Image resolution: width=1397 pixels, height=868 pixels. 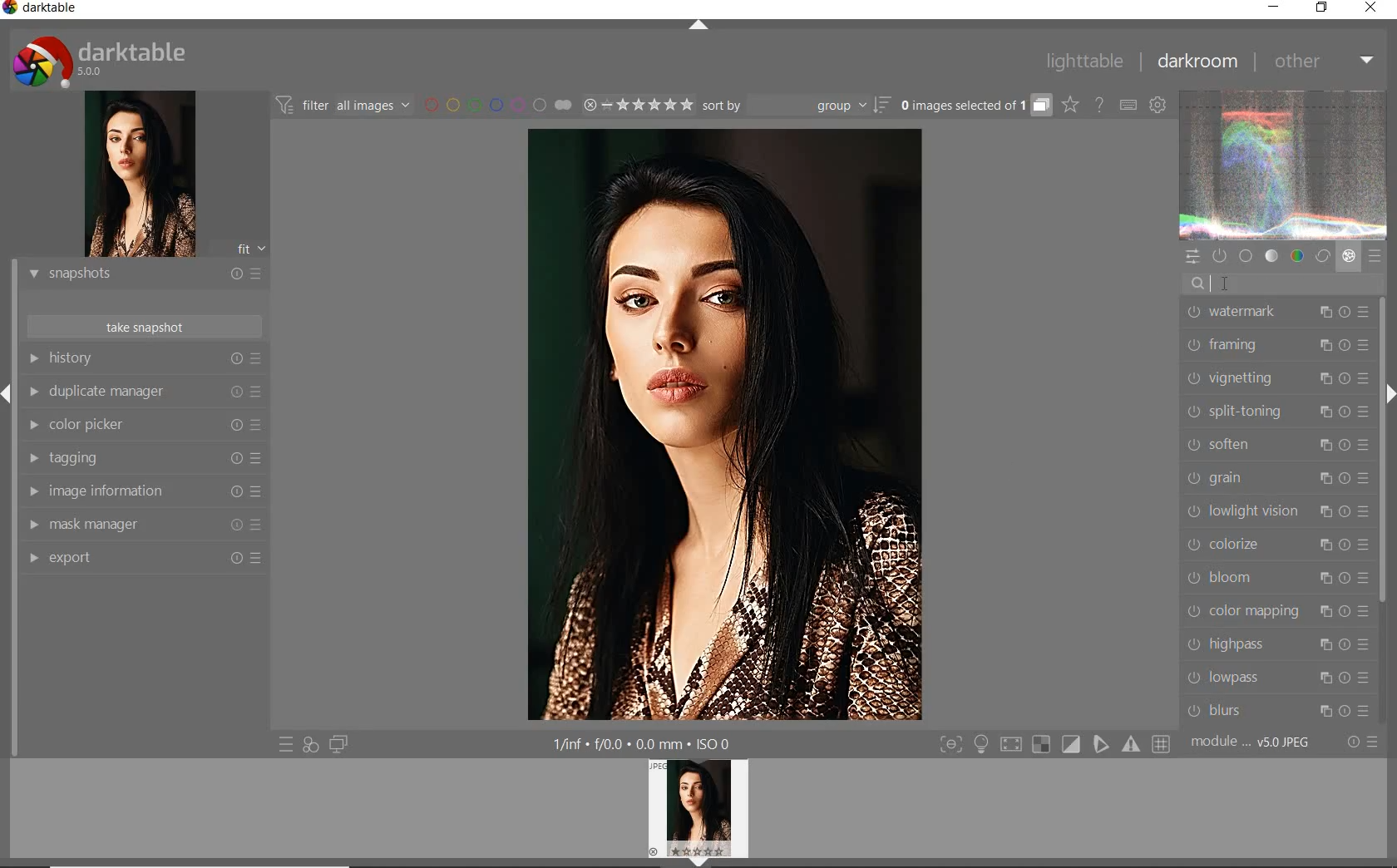 I want to click on MINIMIZE, so click(x=1274, y=8).